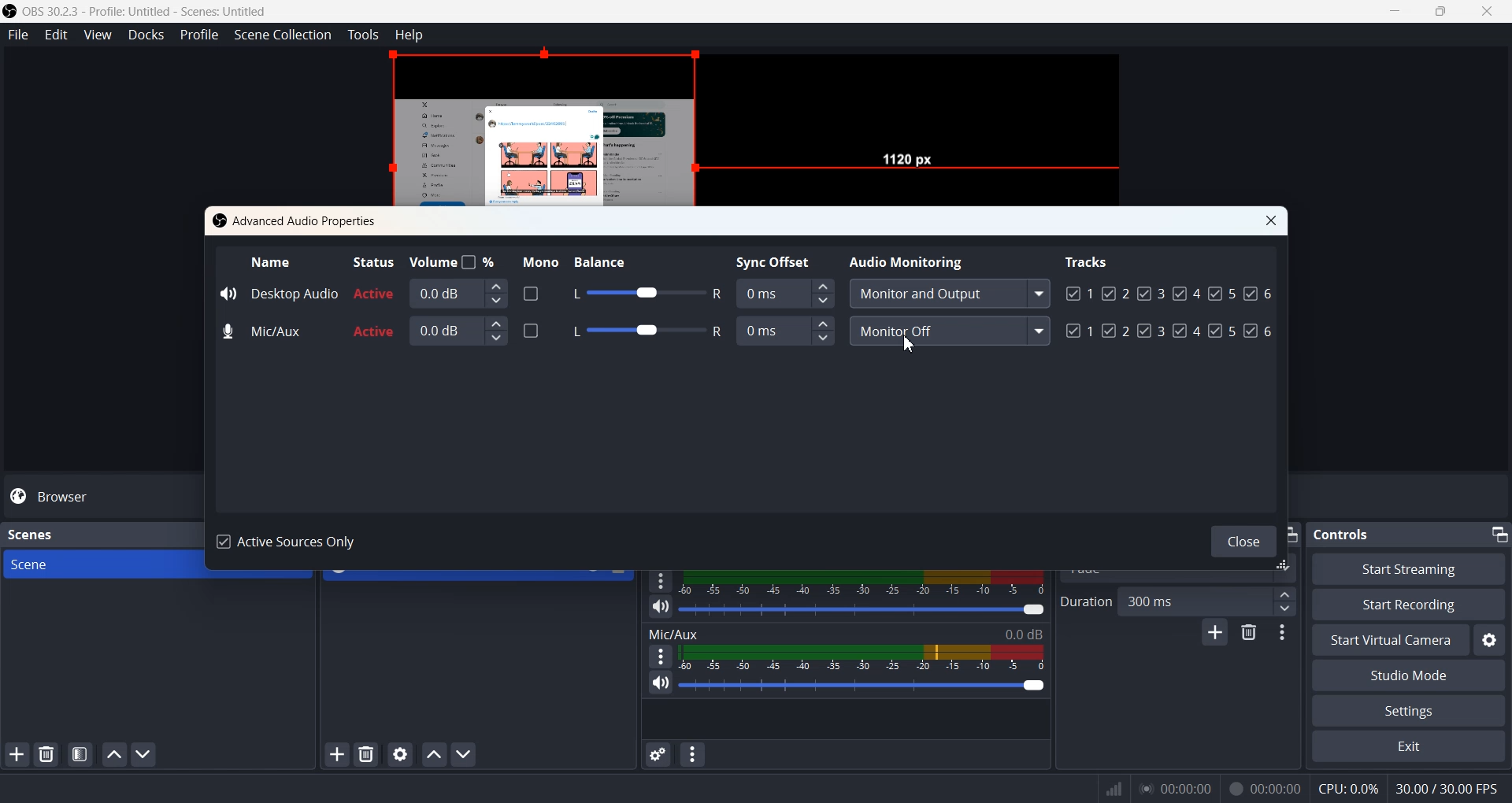 The height and width of the screenshot is (803, 1512). What do you see at coordinates (1347, 533) in the screenshot?
I see `Controls` at bounding box center [1347, 533].